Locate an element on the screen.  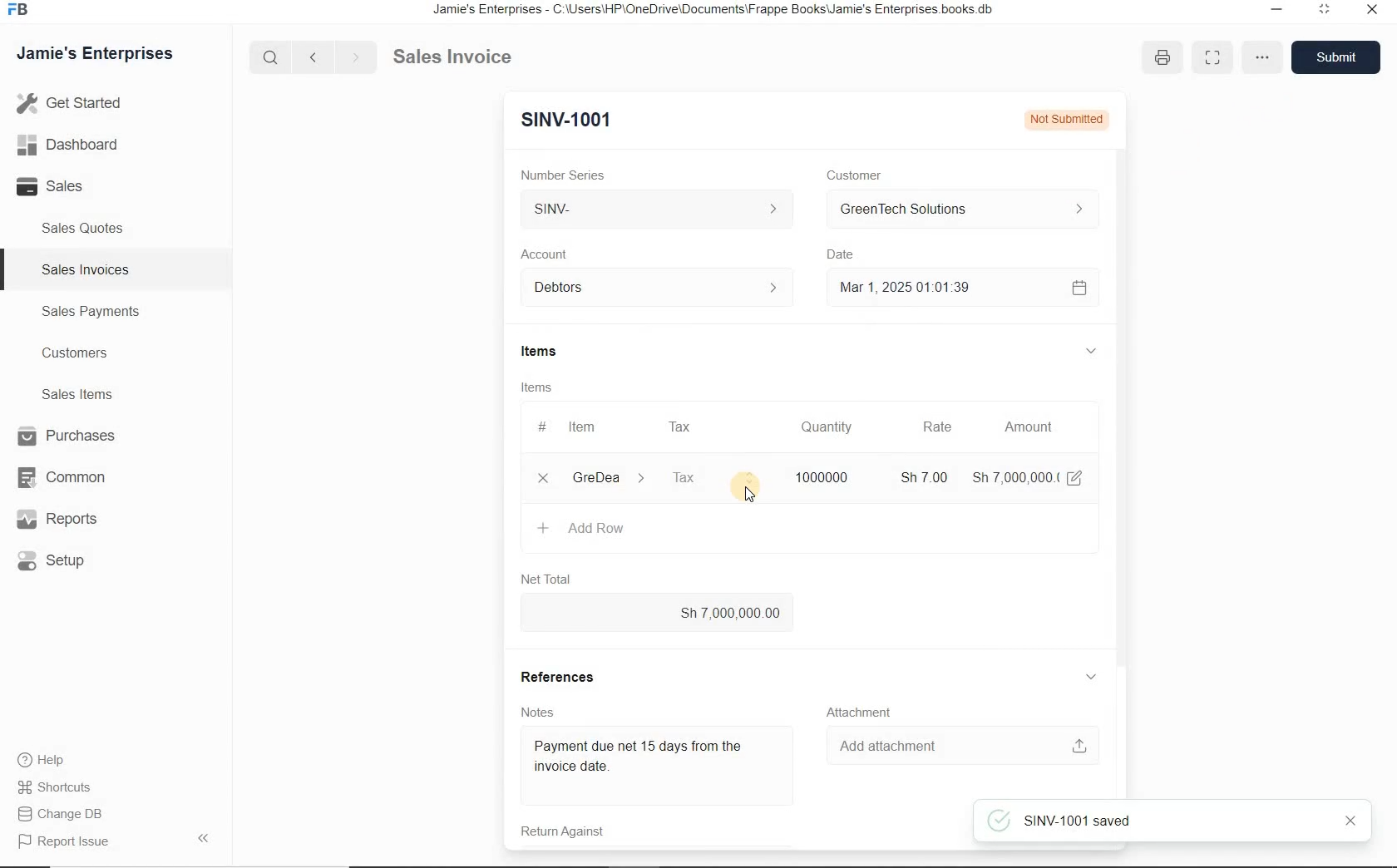
+ Add Row is located at coordinates (581, 530).